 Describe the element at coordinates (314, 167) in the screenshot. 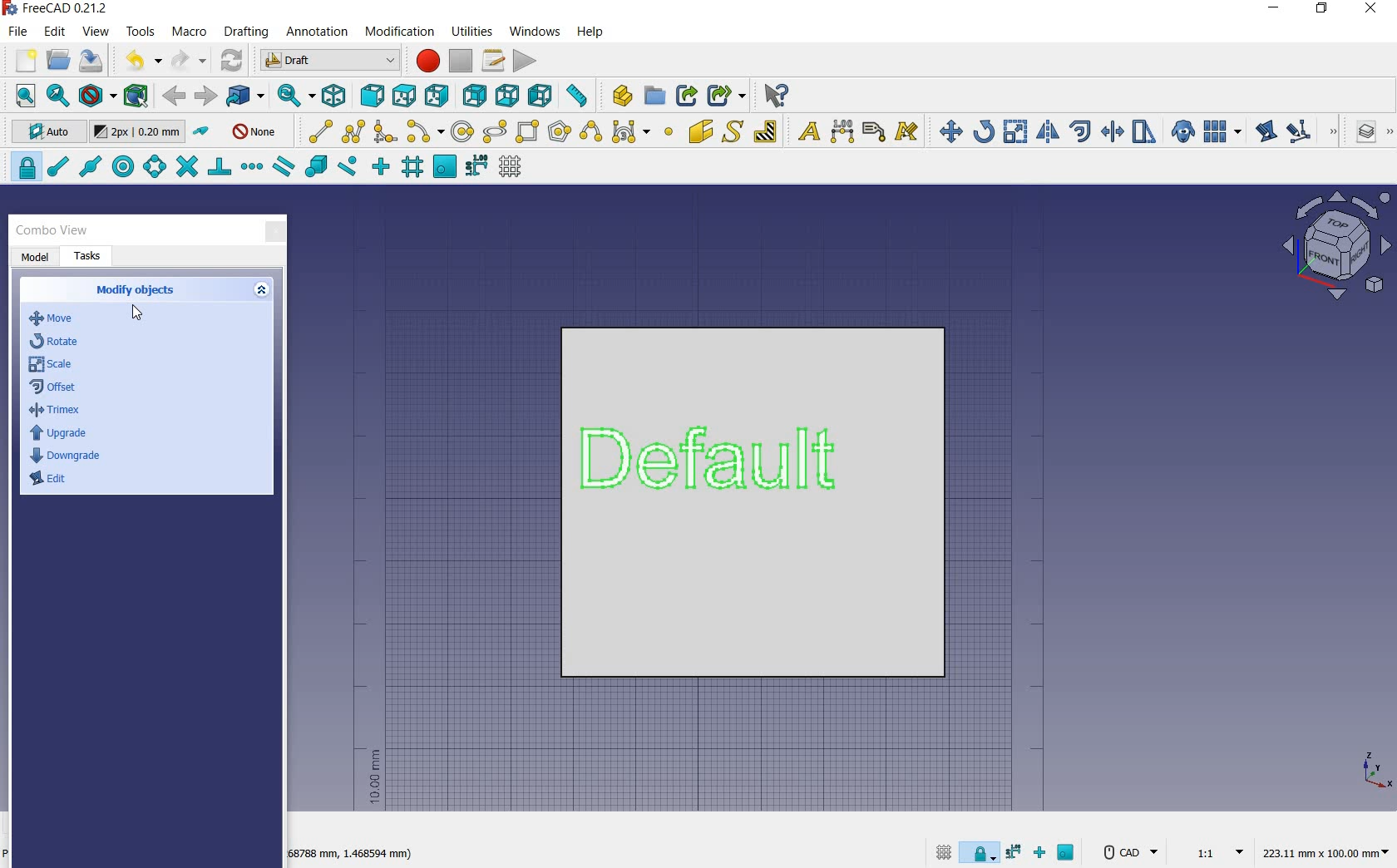

I see `snap special` at that location.